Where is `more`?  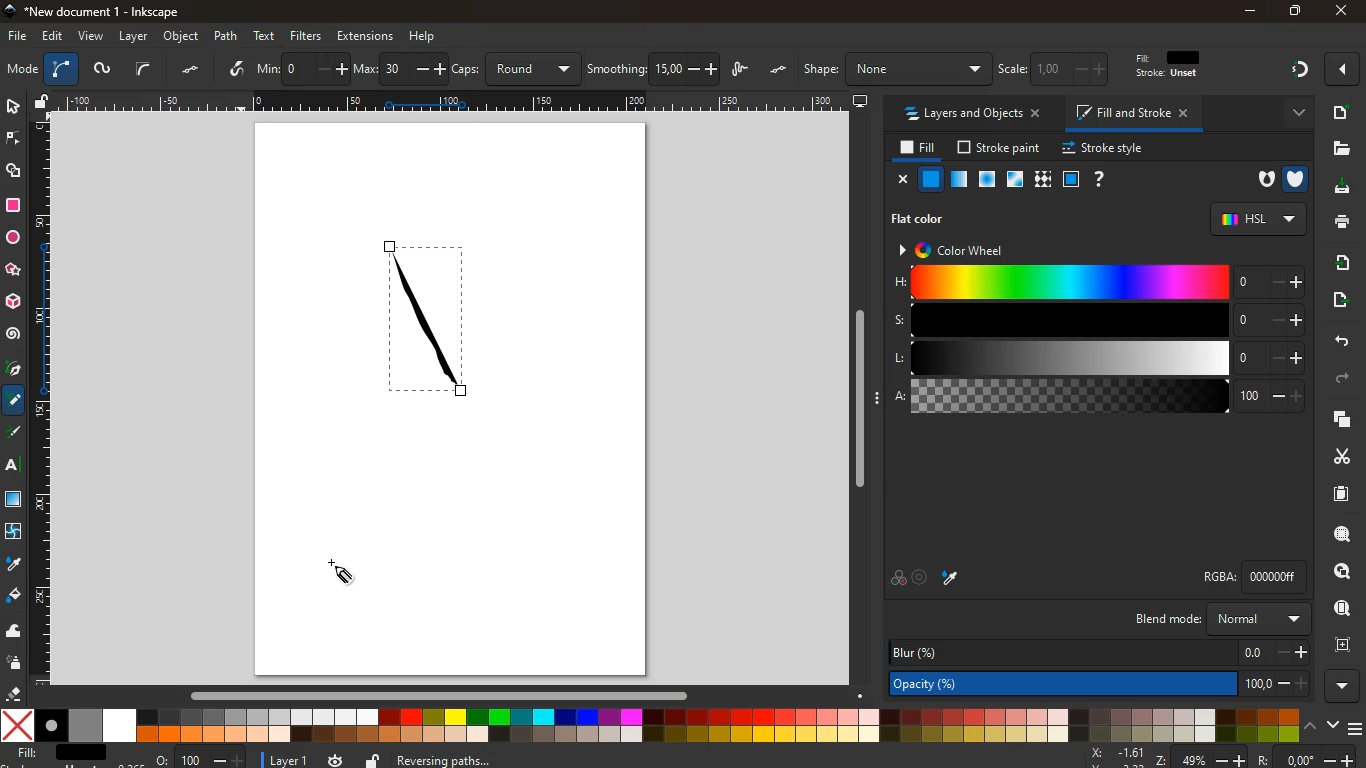 more is located at coordinates (1294, 114).